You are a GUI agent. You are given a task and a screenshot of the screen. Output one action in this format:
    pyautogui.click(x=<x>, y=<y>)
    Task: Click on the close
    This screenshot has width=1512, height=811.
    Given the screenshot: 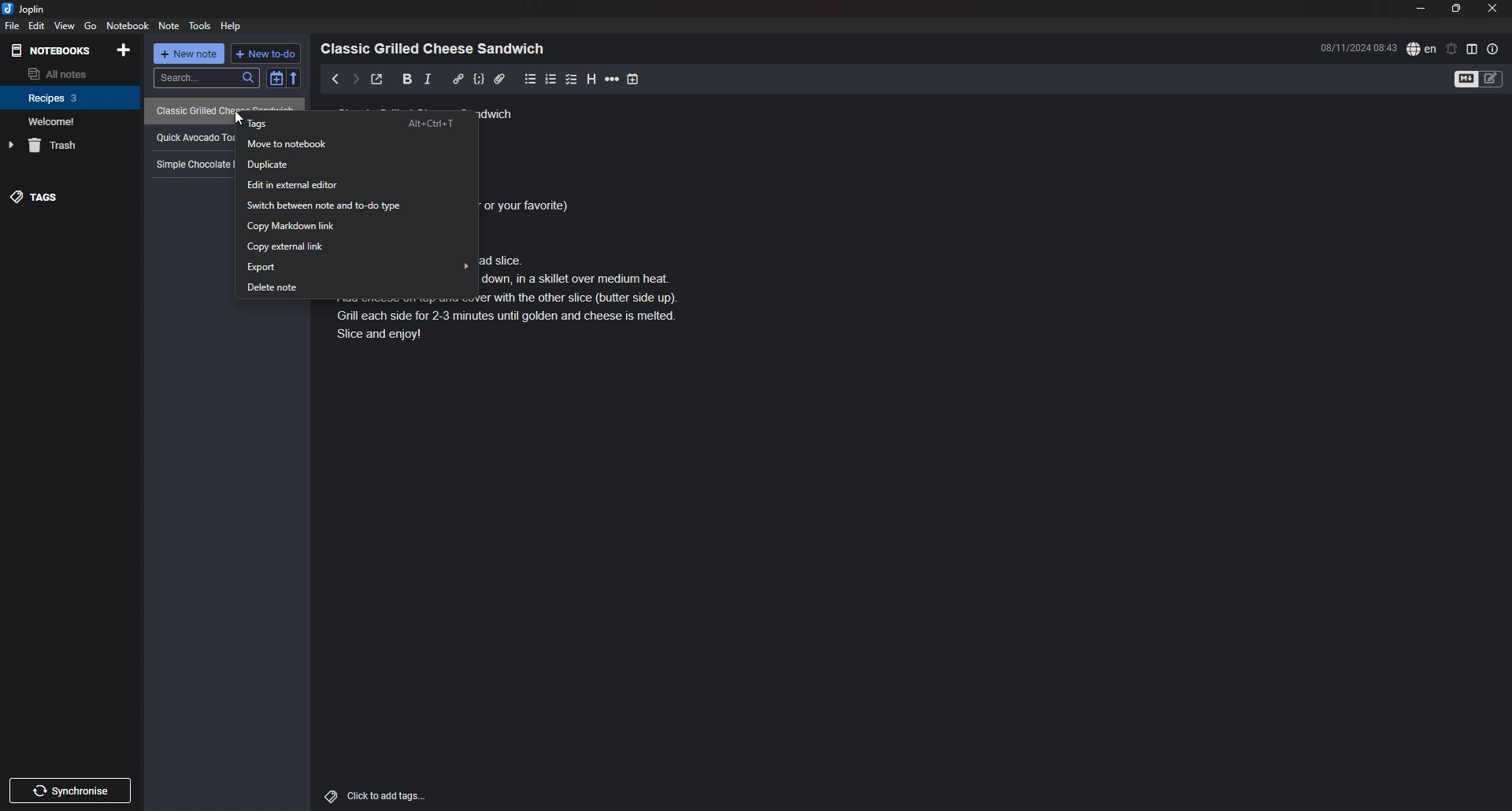 What is the action you would take?
    pyautogui.click(x=1494, y=8)
    